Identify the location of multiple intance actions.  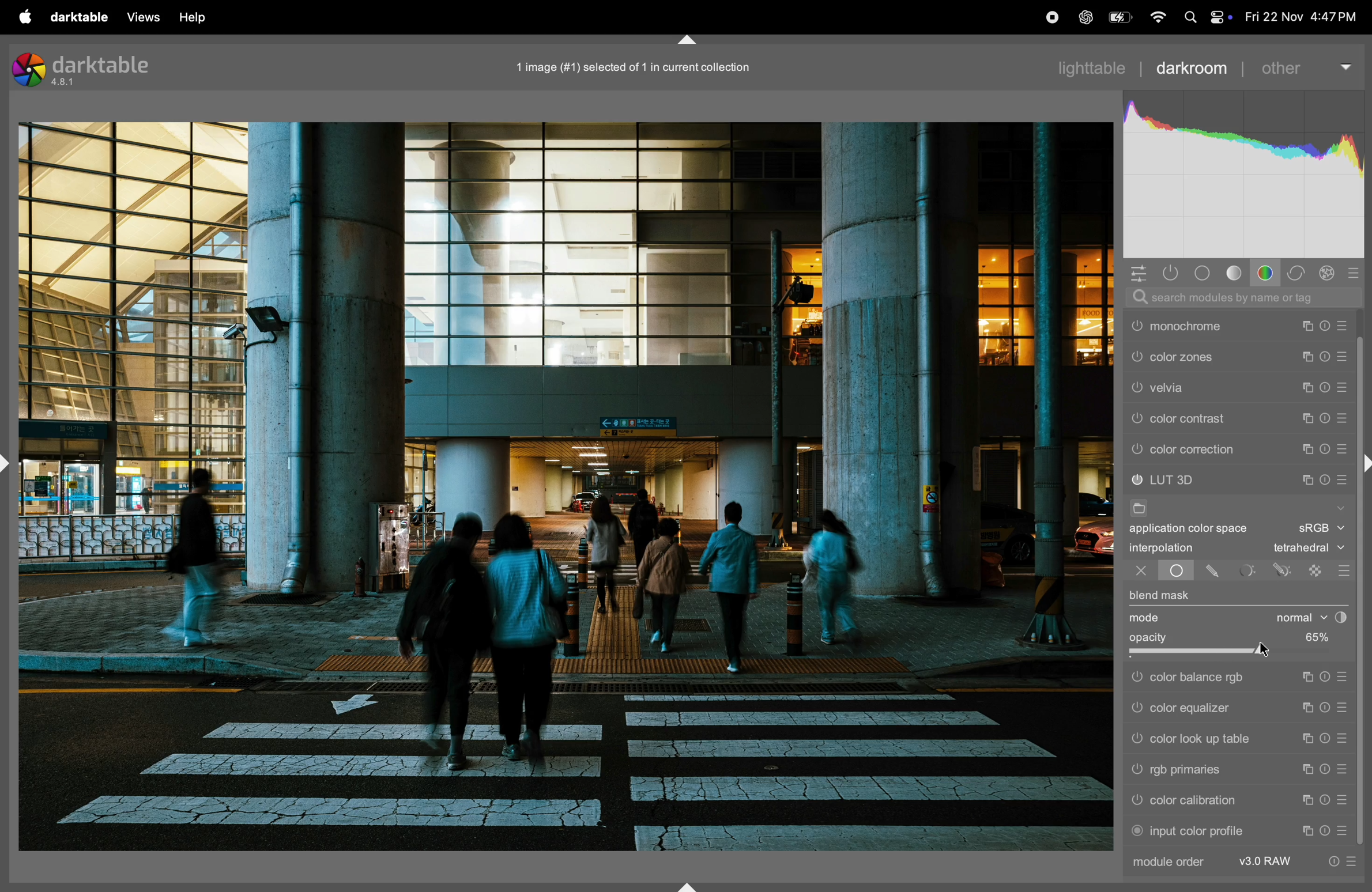
(1303, 323).